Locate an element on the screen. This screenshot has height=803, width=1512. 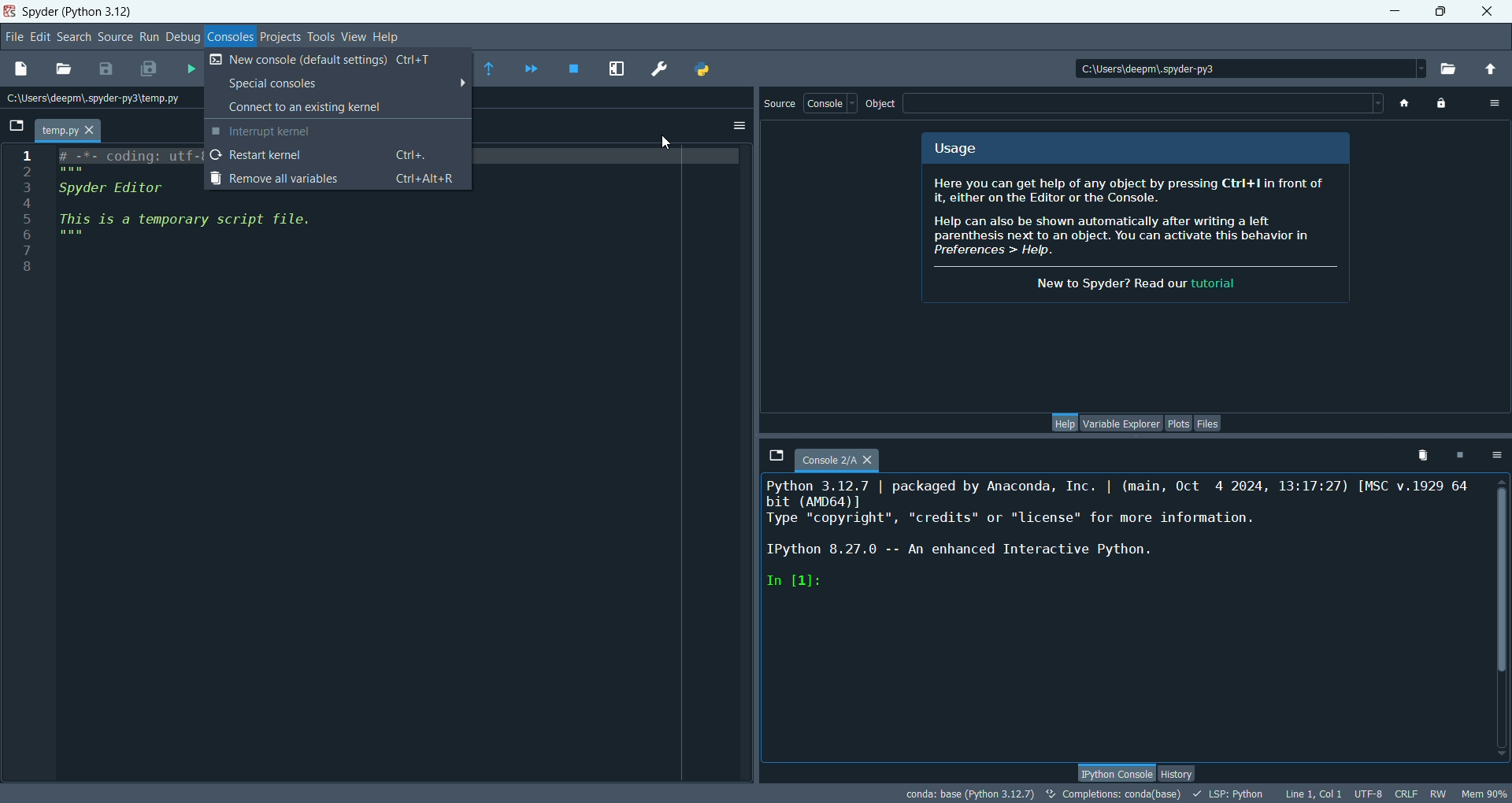
parent directory is located at coordinates (1491, 70).